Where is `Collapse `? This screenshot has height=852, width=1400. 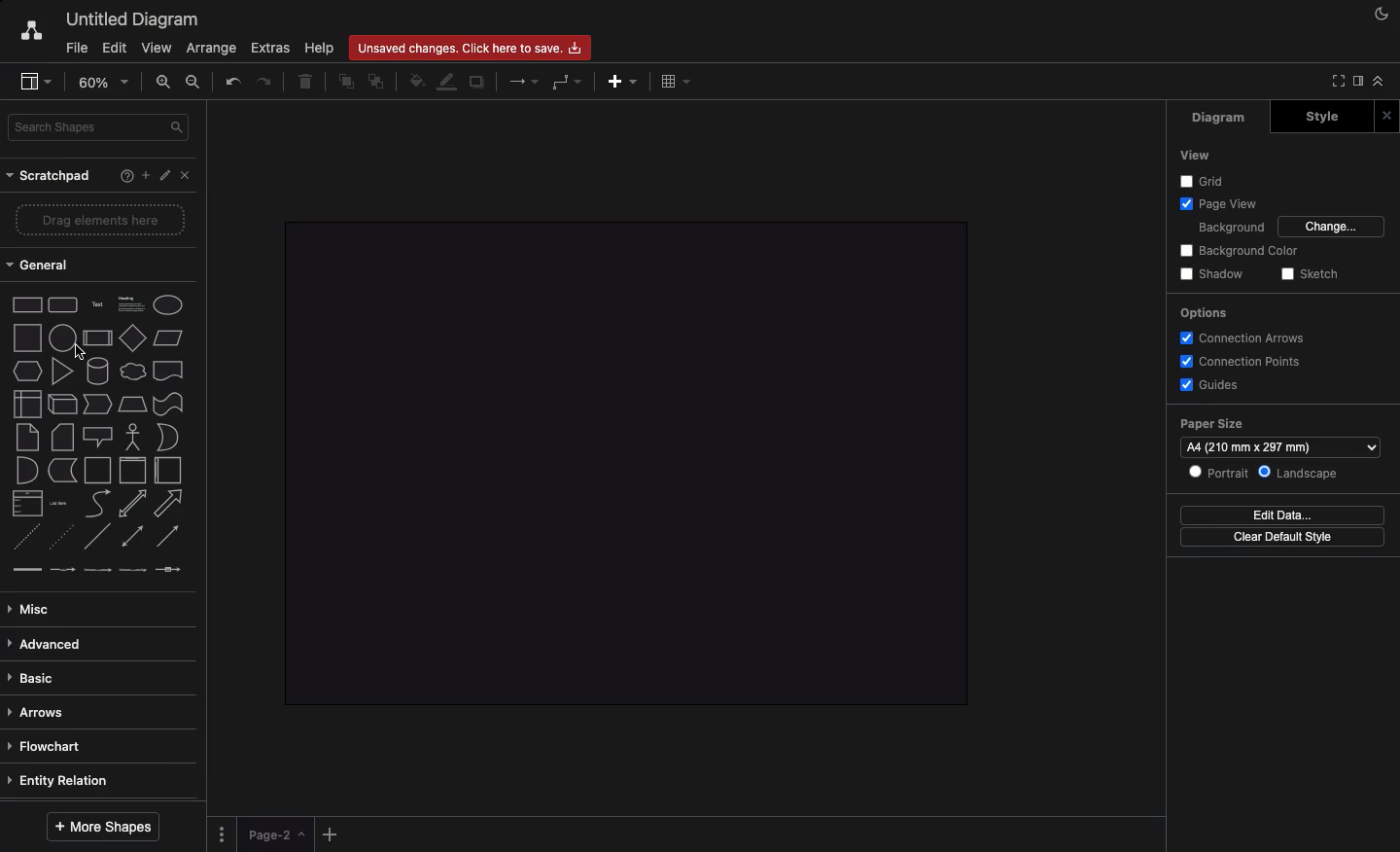 Collapse  is located at coordinates (1376, 81).